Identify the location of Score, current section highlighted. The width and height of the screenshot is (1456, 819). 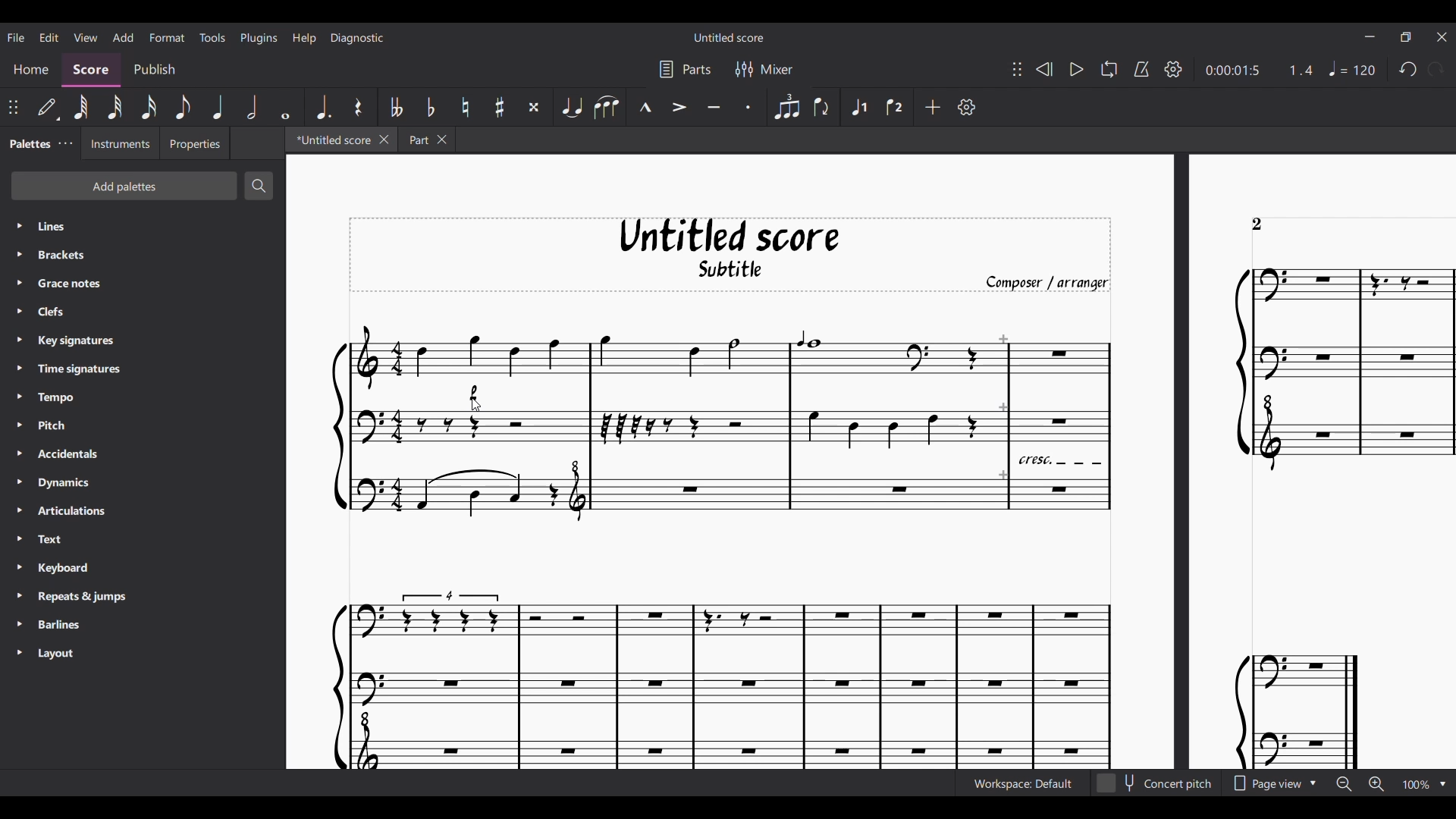
(91, 71).